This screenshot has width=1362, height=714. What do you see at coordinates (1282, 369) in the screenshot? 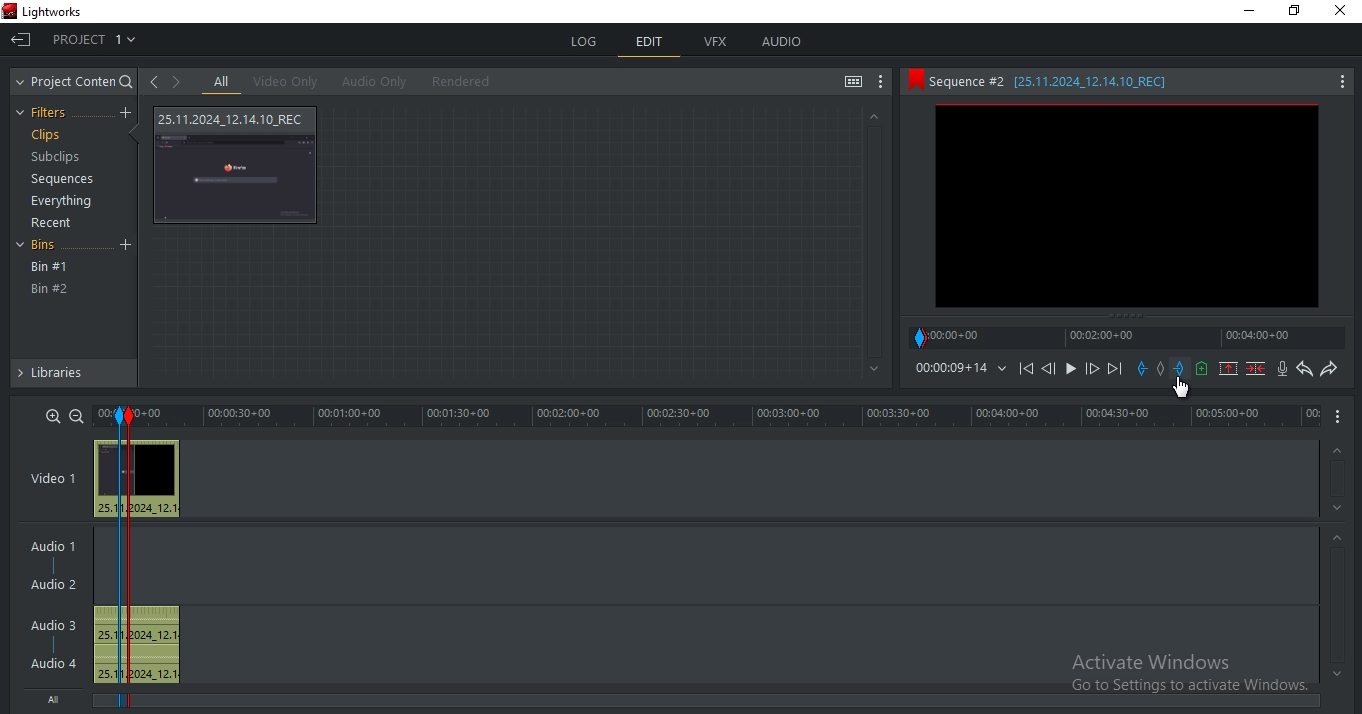
I see `record audio` at bounding box center [1282, 369].